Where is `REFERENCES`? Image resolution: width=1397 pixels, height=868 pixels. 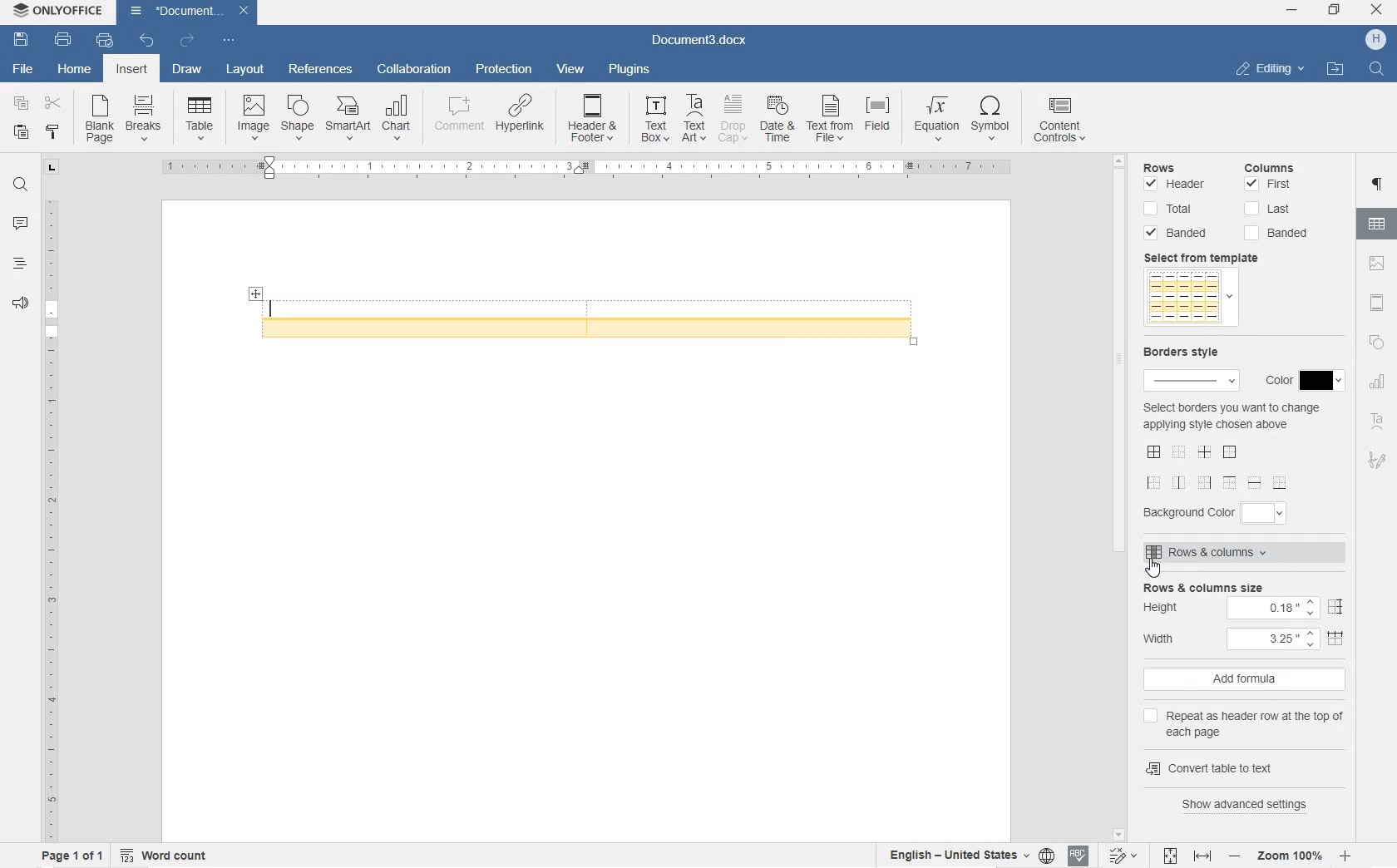
REFERENCES is located at coordinates (320, 71).